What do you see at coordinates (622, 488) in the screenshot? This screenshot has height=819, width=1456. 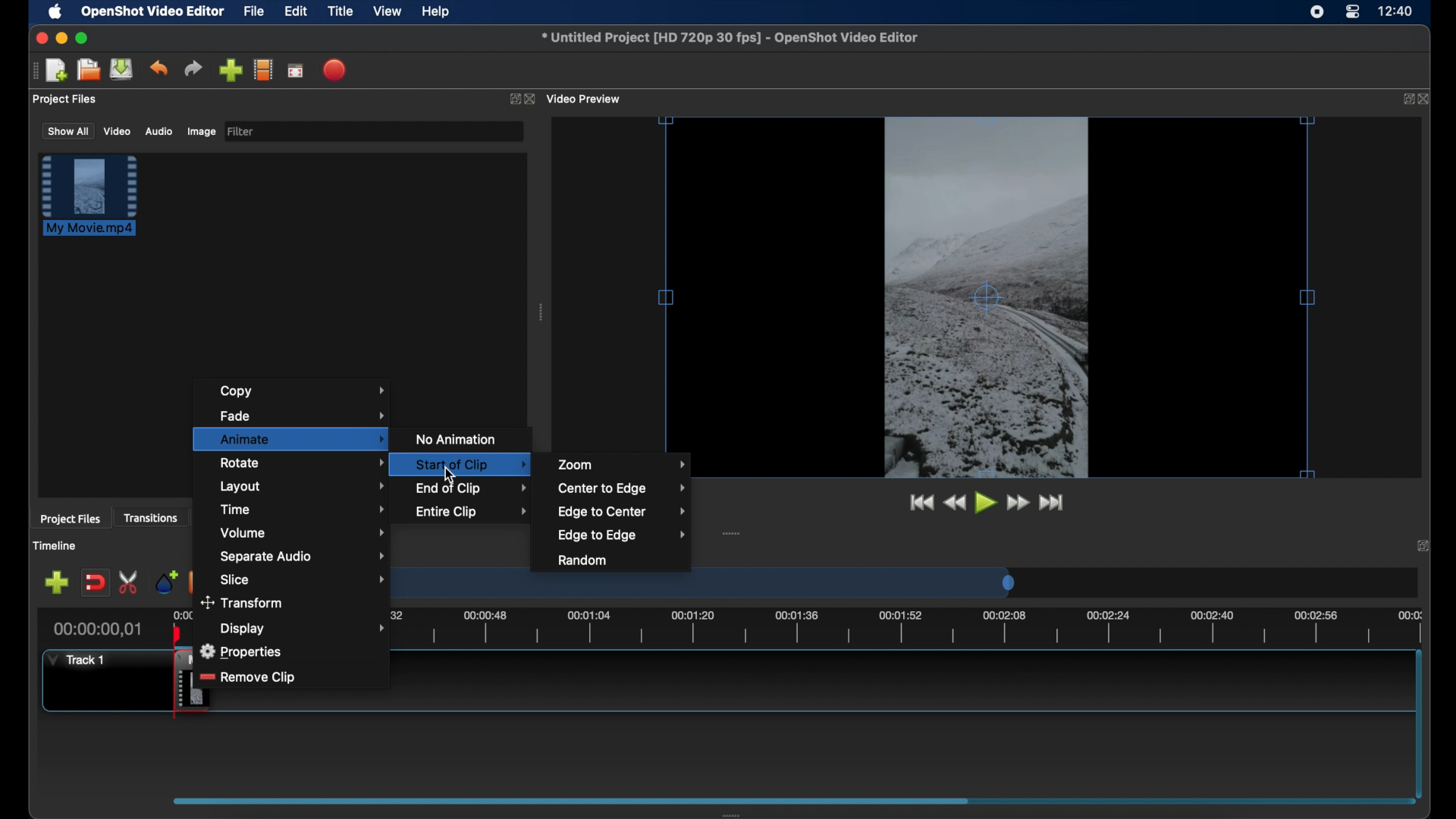 I see `center to edge  menu` at bounding box center [622, 488].